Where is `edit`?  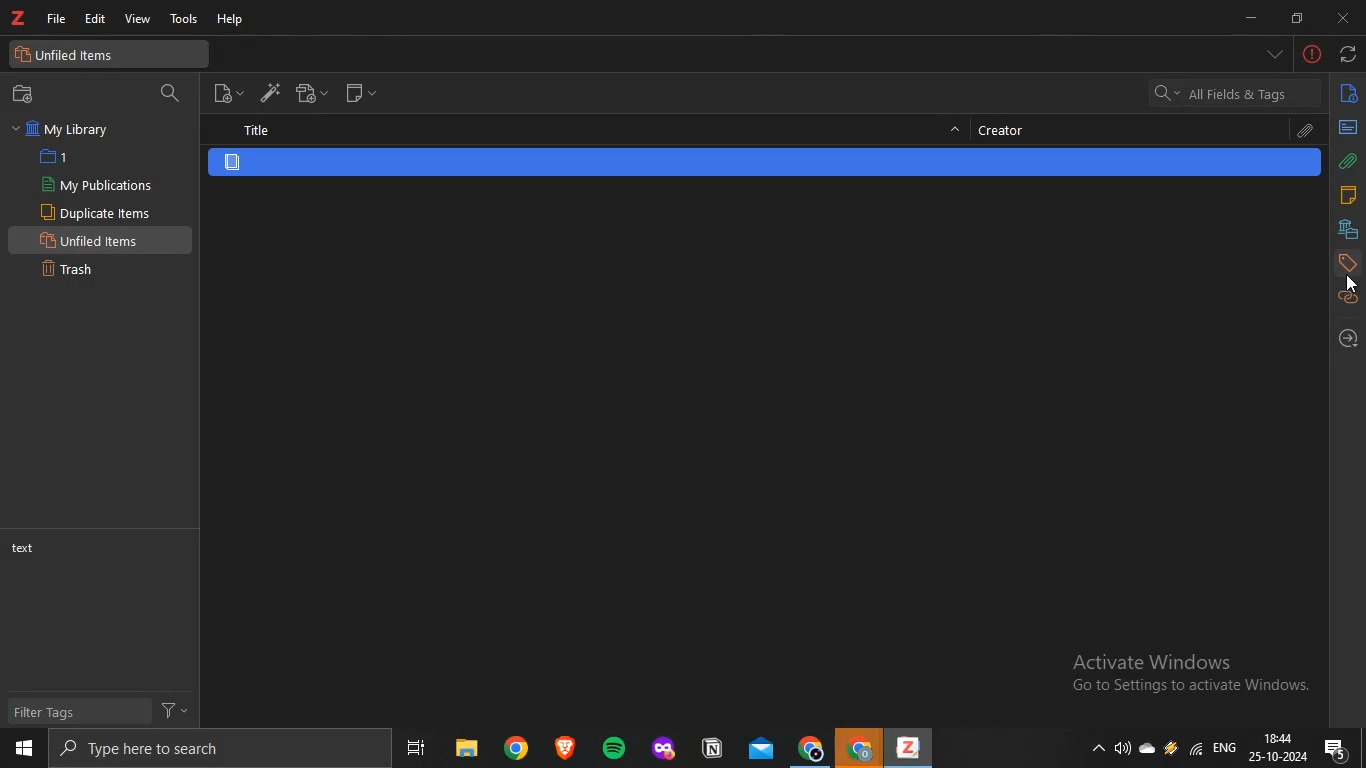 edit is located at coordinates (95, 19).